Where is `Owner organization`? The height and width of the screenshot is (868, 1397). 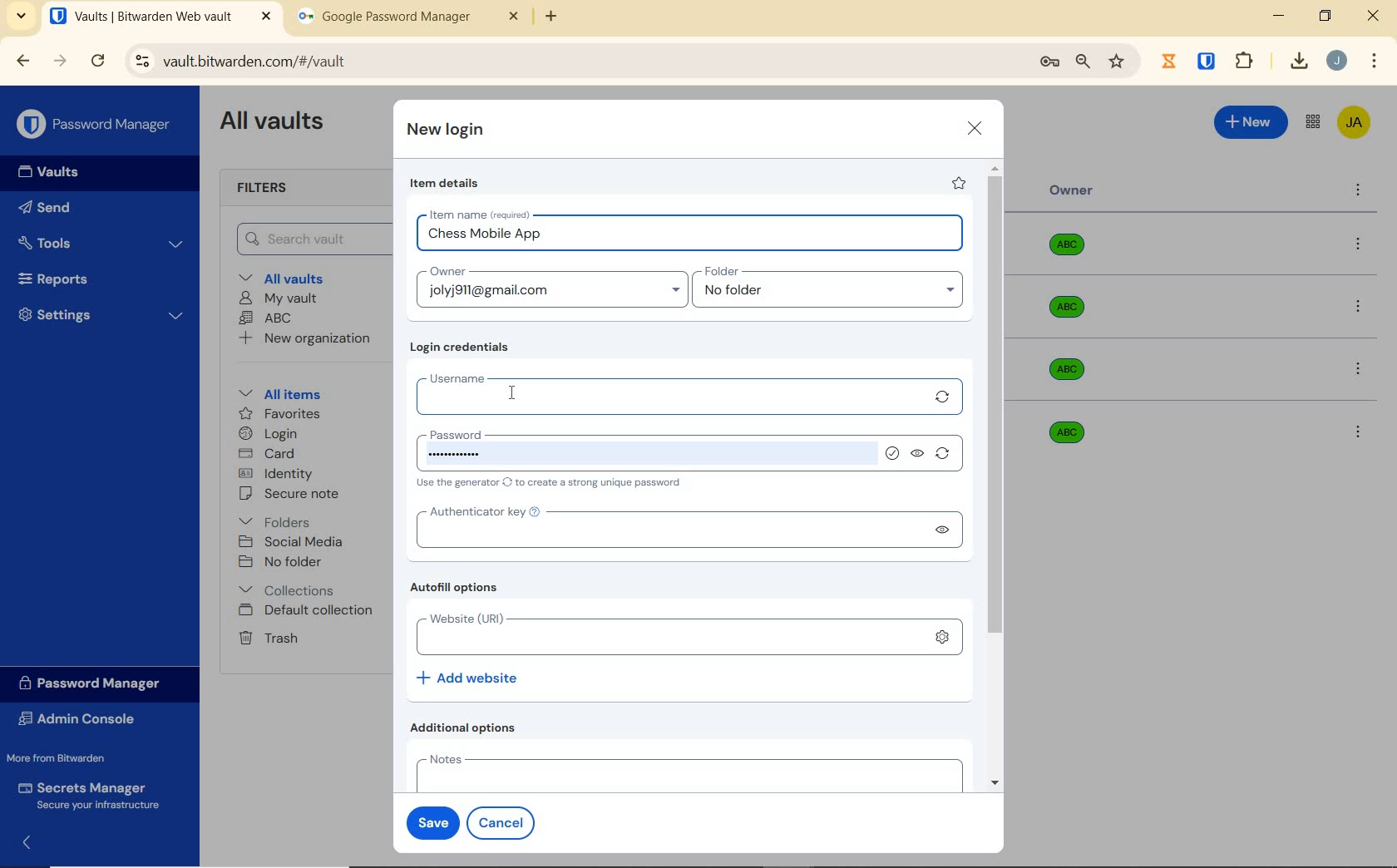
Owner organization is located at coordinates (1073, 369).